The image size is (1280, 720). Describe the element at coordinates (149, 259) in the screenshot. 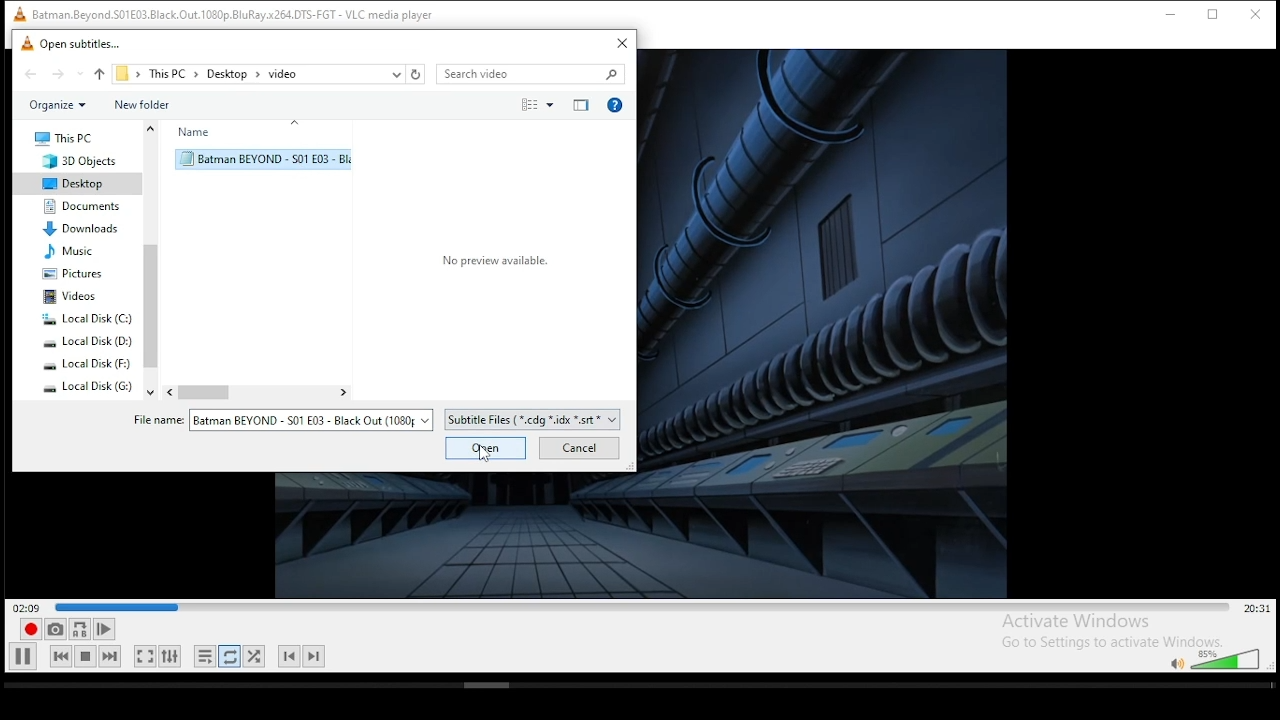

I see `scroll bar` at that location.